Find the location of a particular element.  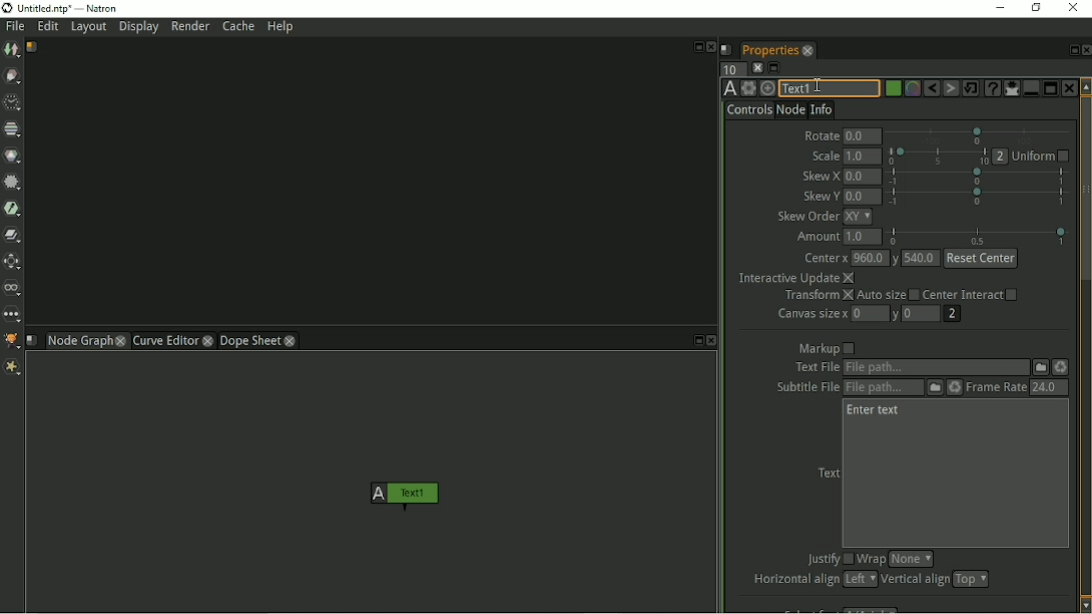

close is located at coordinates (121, 340).